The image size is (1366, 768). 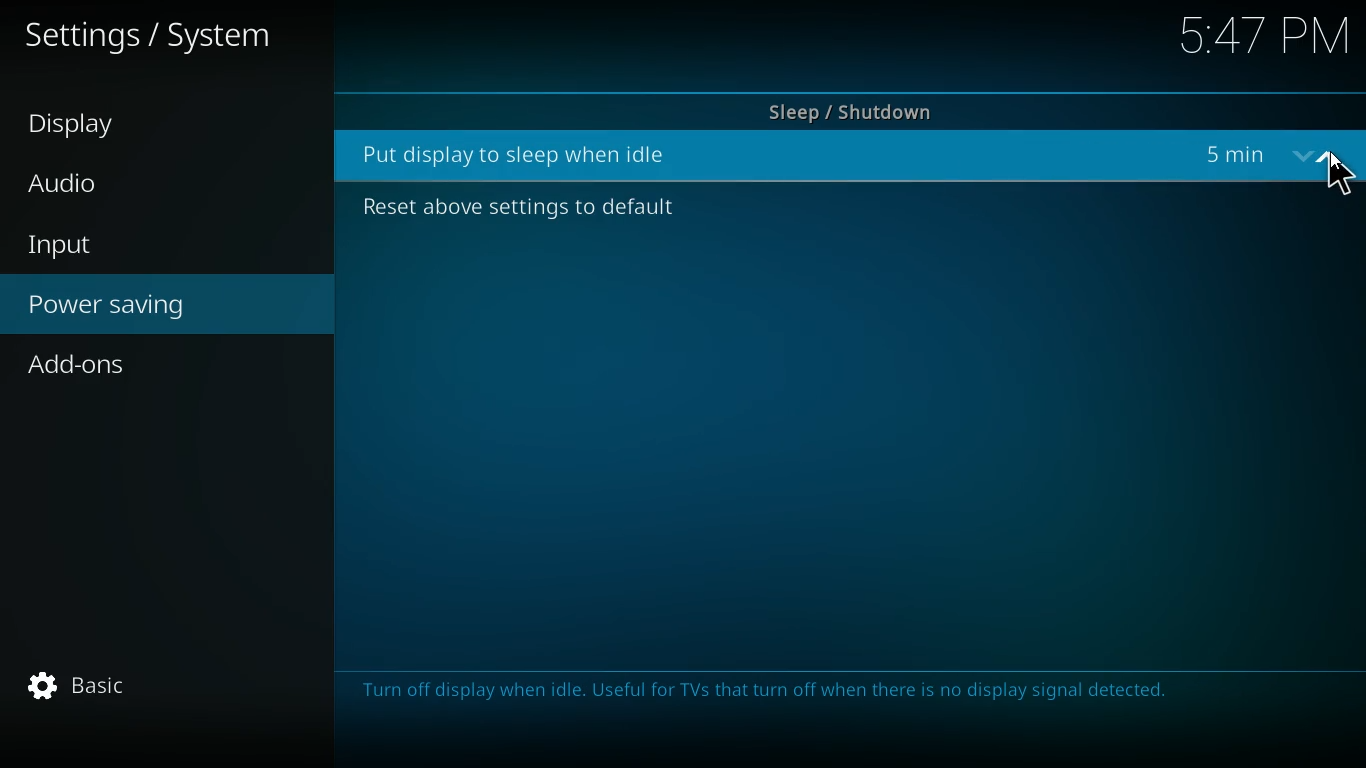 What do you see at coordinates (111, 127) in the screenshot?
I see `display` at bounding box center [111, 127].